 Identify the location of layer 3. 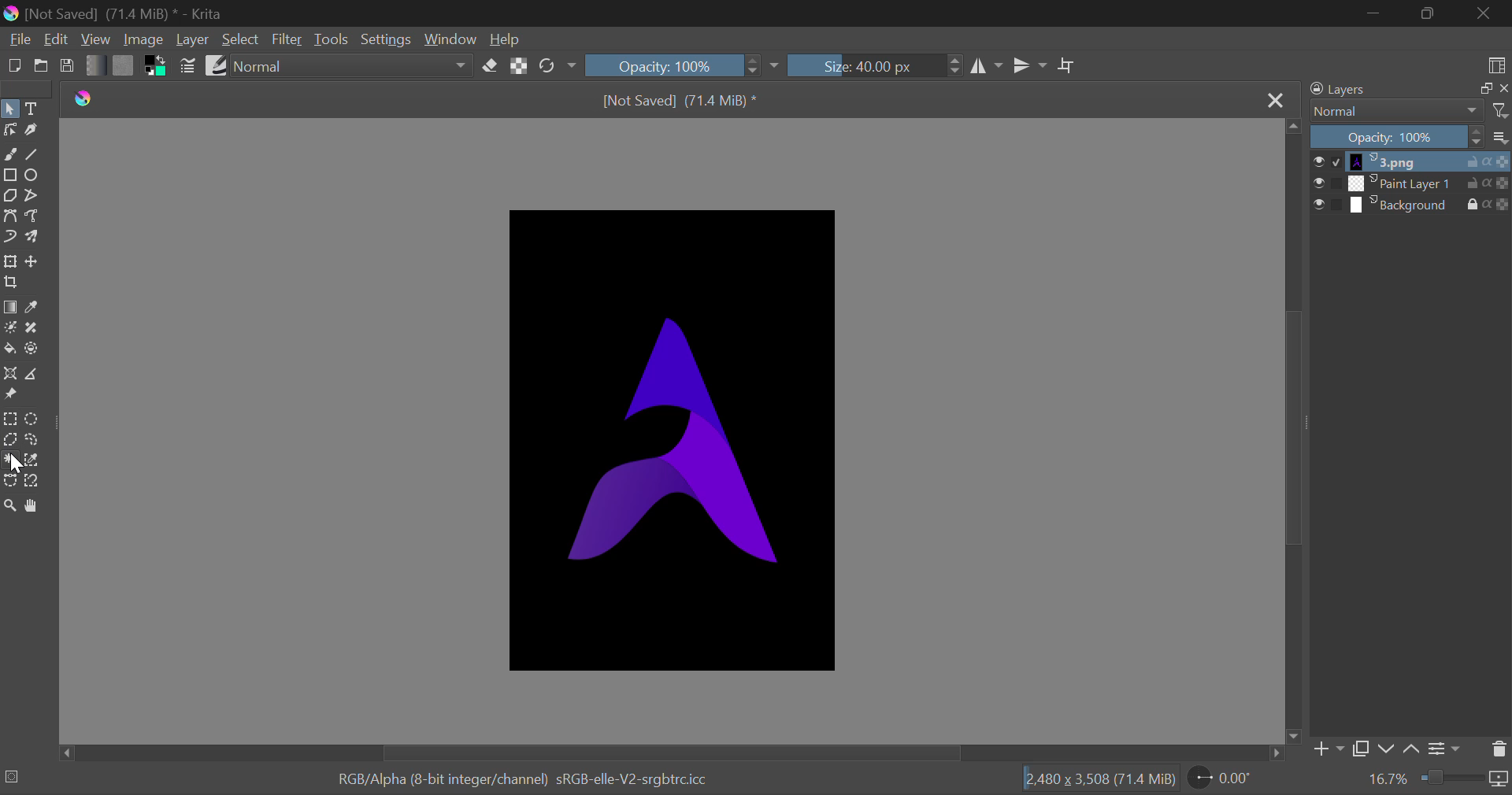
(1401, 203).